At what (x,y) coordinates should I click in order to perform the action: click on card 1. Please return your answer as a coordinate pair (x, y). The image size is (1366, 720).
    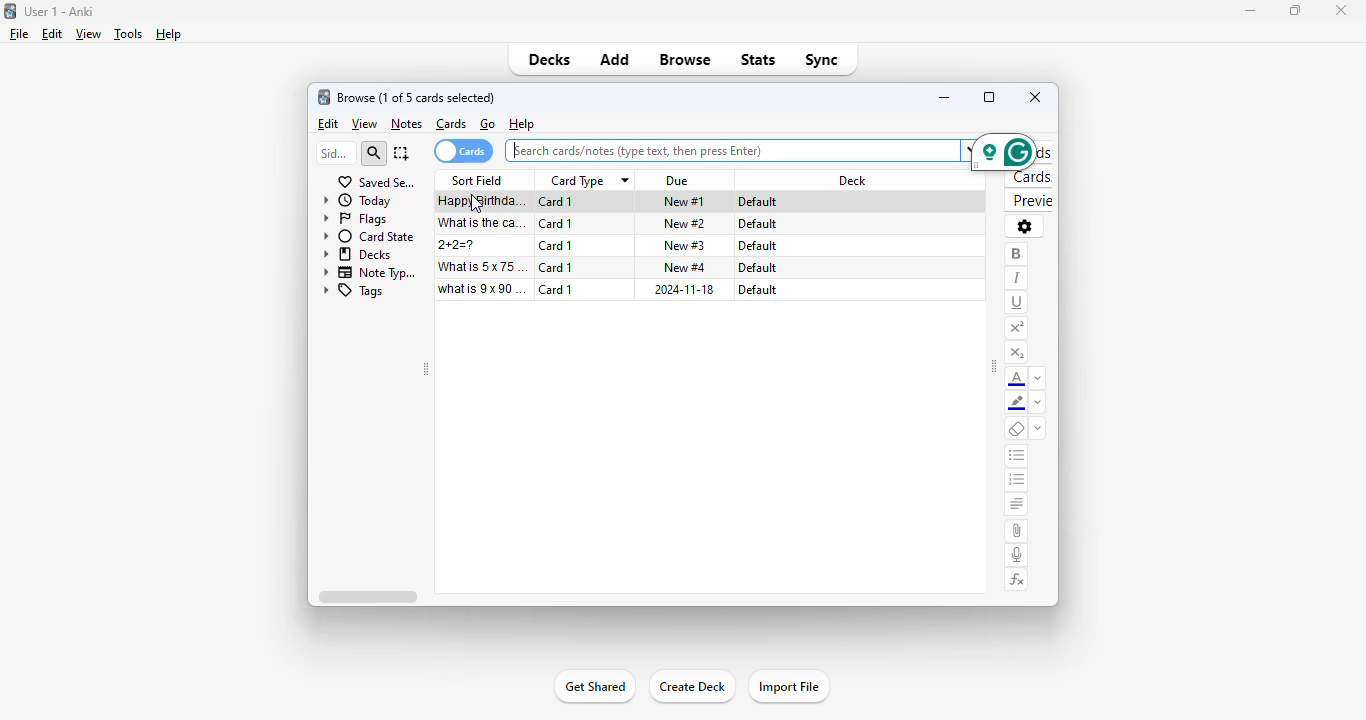
    Looking at the image, I should click on (555, 267).